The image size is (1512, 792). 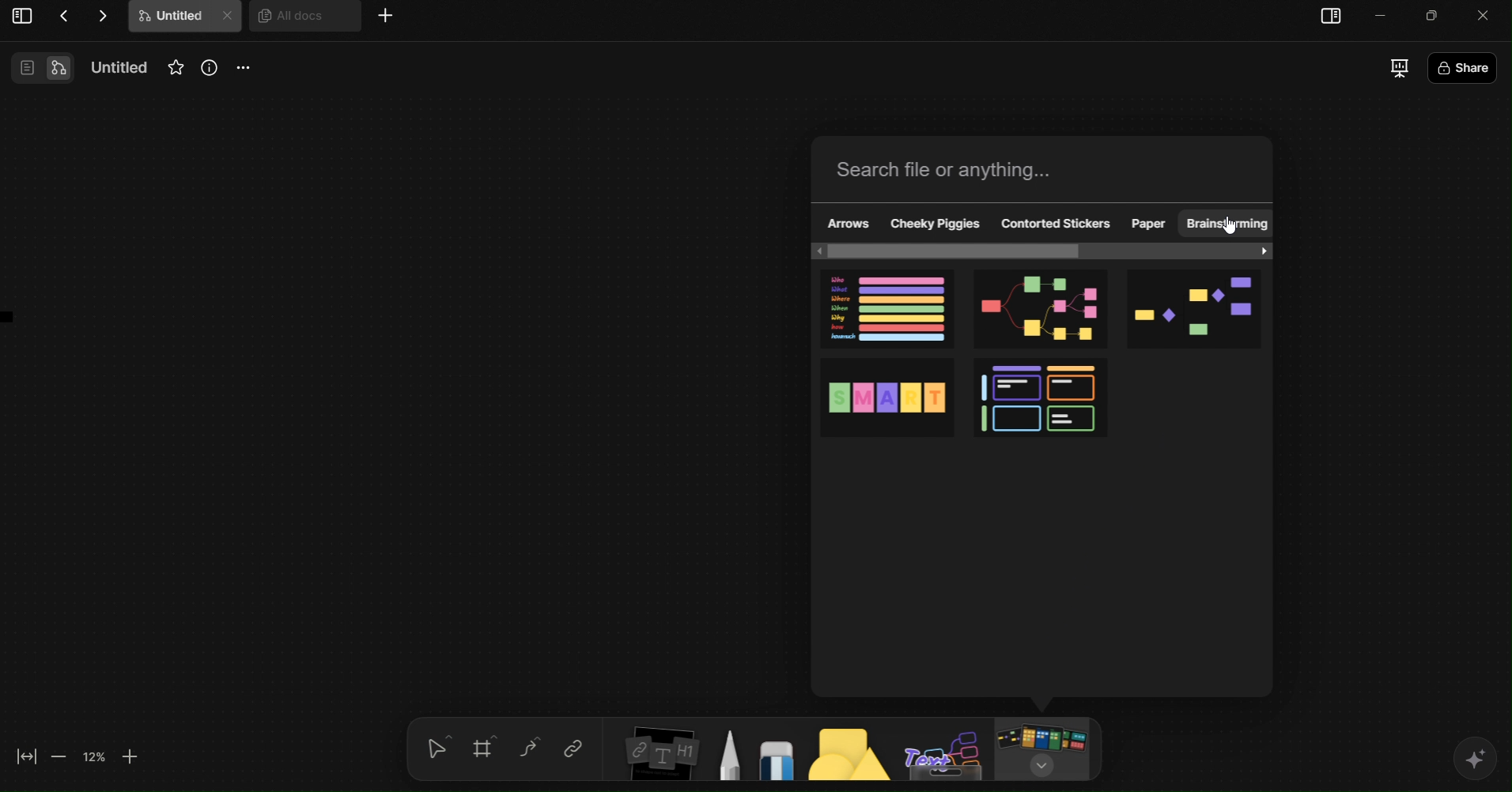 I want to click on Arrows, so click(x=848, y=224).